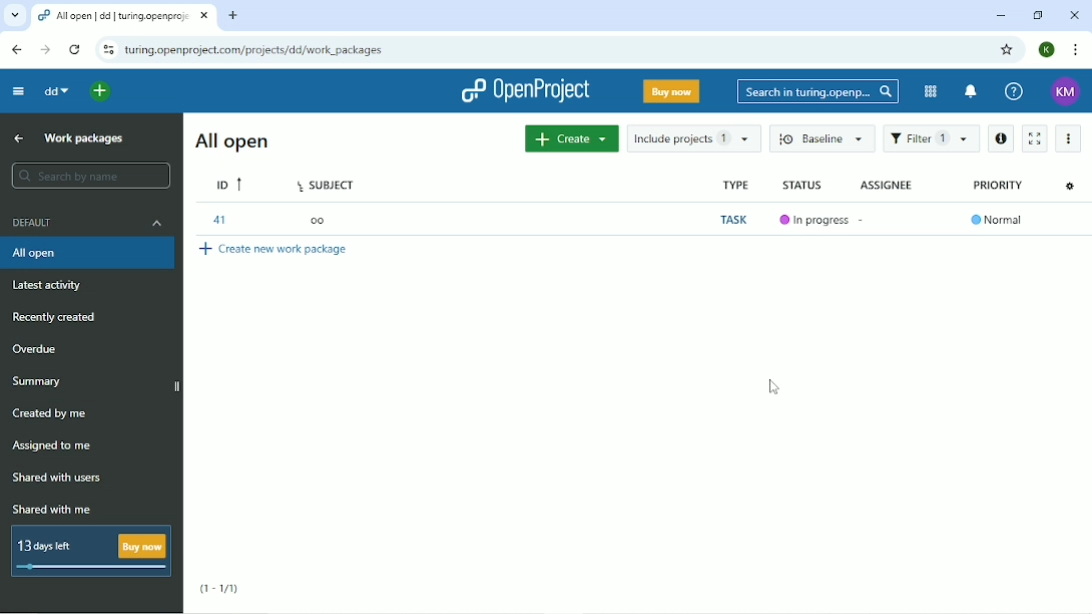 The image size is (1092, 614). I want to click on Normal, so click(998, 220).